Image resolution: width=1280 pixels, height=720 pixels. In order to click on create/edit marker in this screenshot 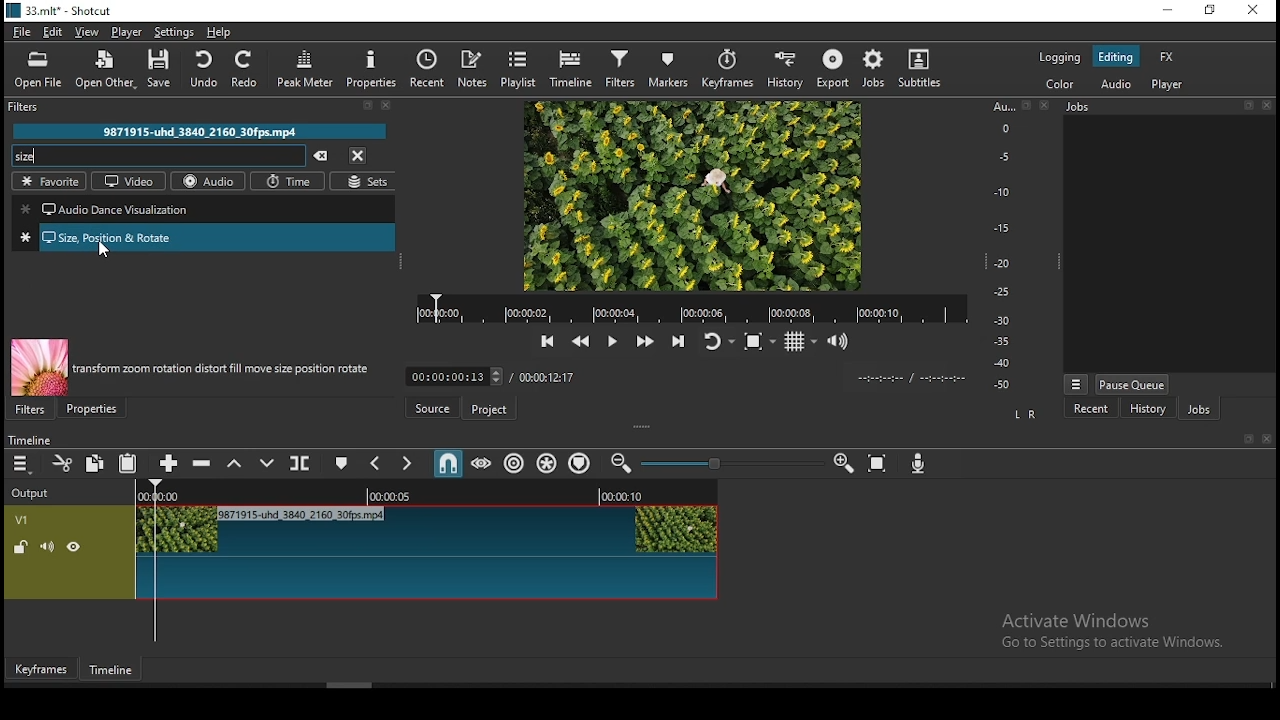, I will do `click(342, 462)`.